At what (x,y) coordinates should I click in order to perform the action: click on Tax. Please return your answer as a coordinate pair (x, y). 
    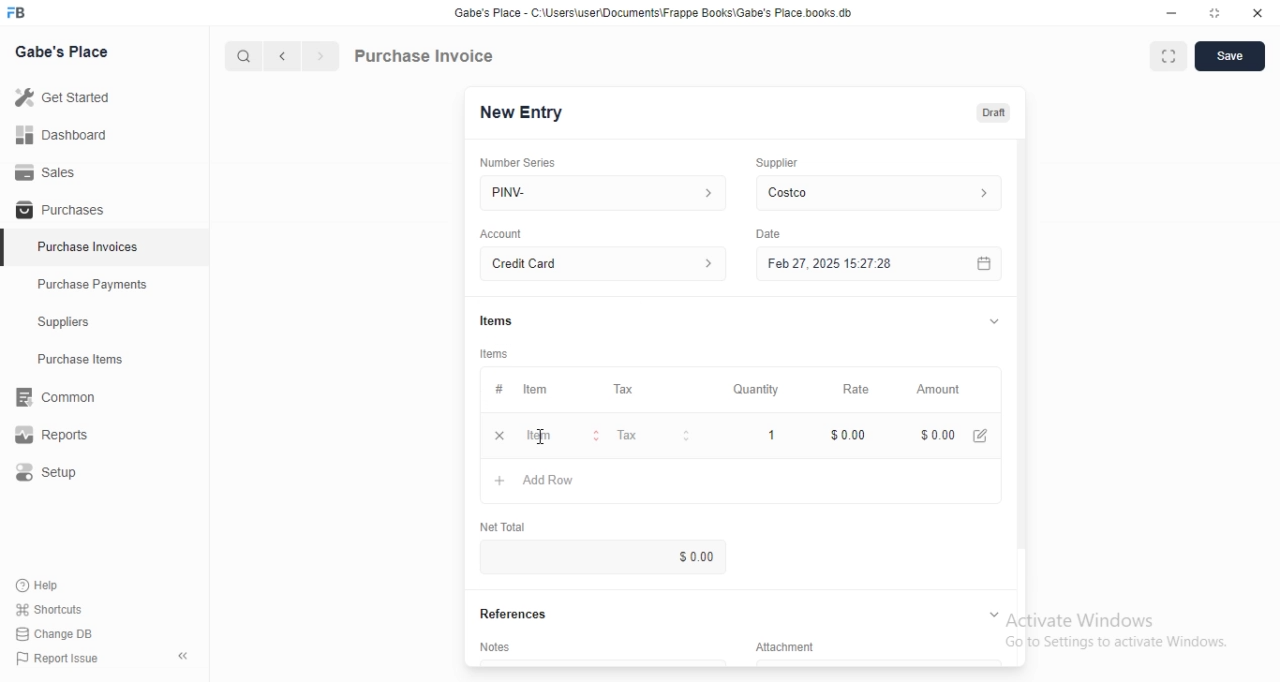
    Looking at the image, I should click on (650, 389).